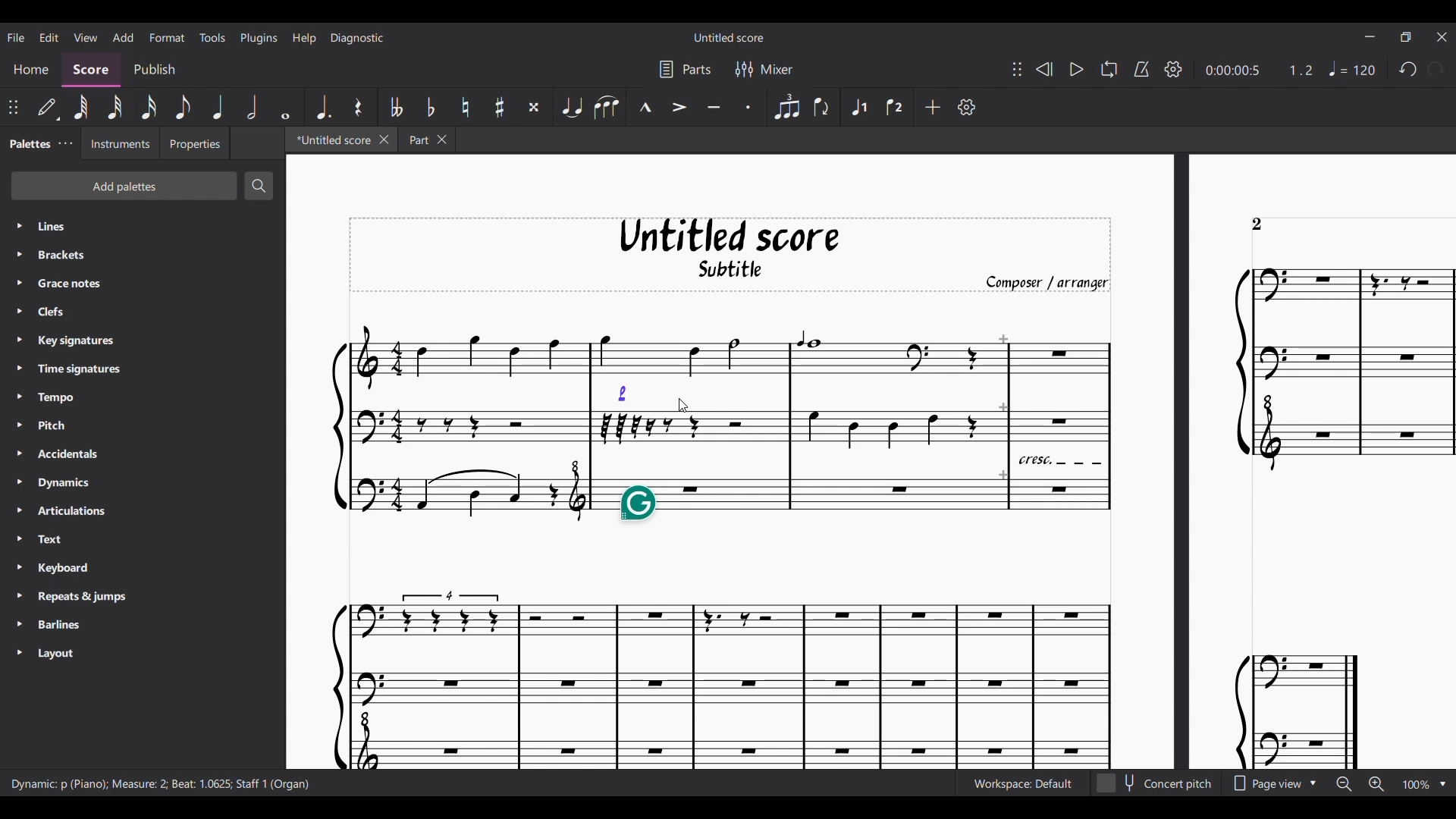  Describe the element at coordinates (123, 37) in the screenshot. I see `Add menu` at that location.